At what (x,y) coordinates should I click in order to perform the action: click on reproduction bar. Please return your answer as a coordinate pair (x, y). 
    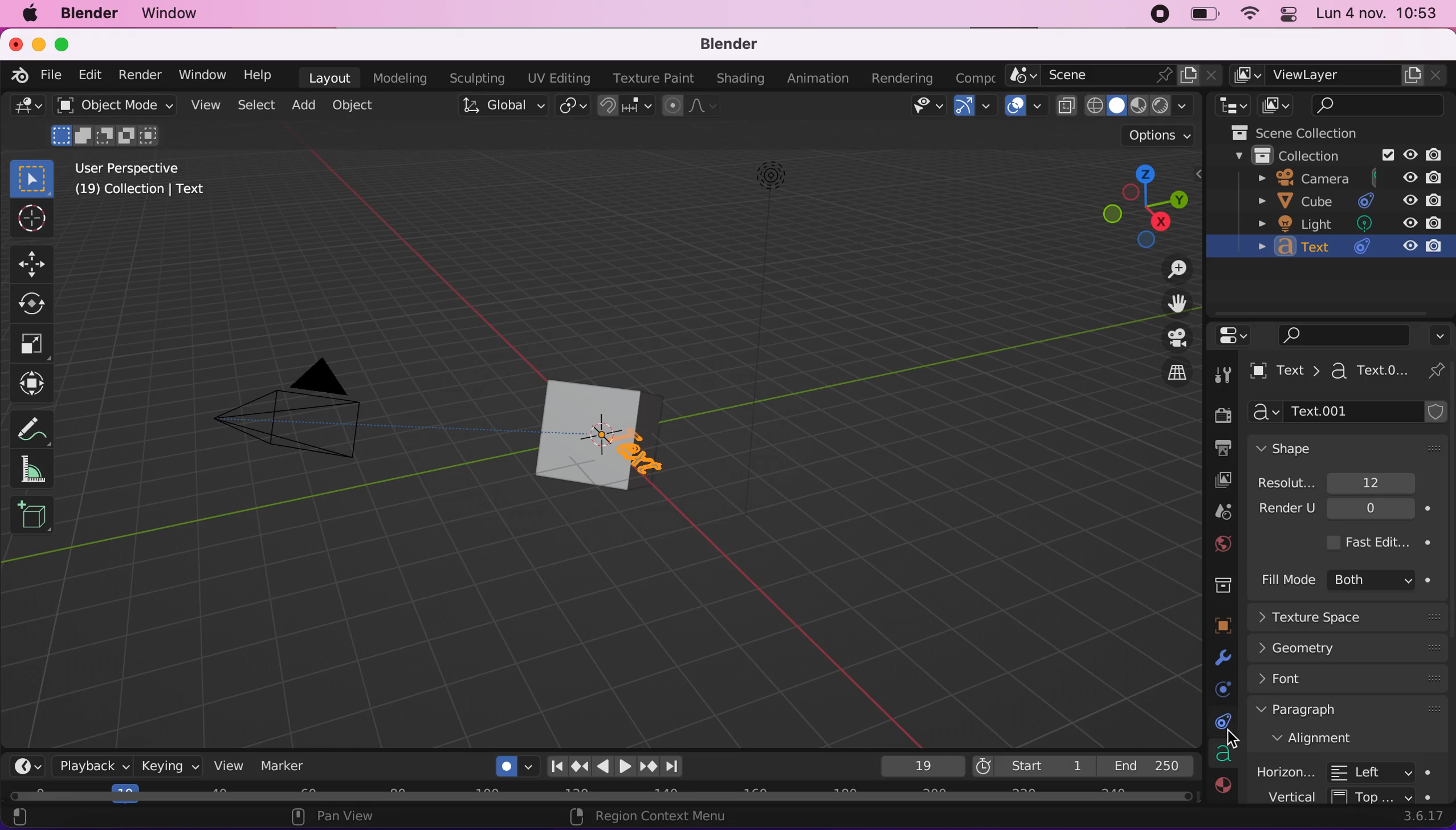
    Looking at the image, I should click on (621, 762).